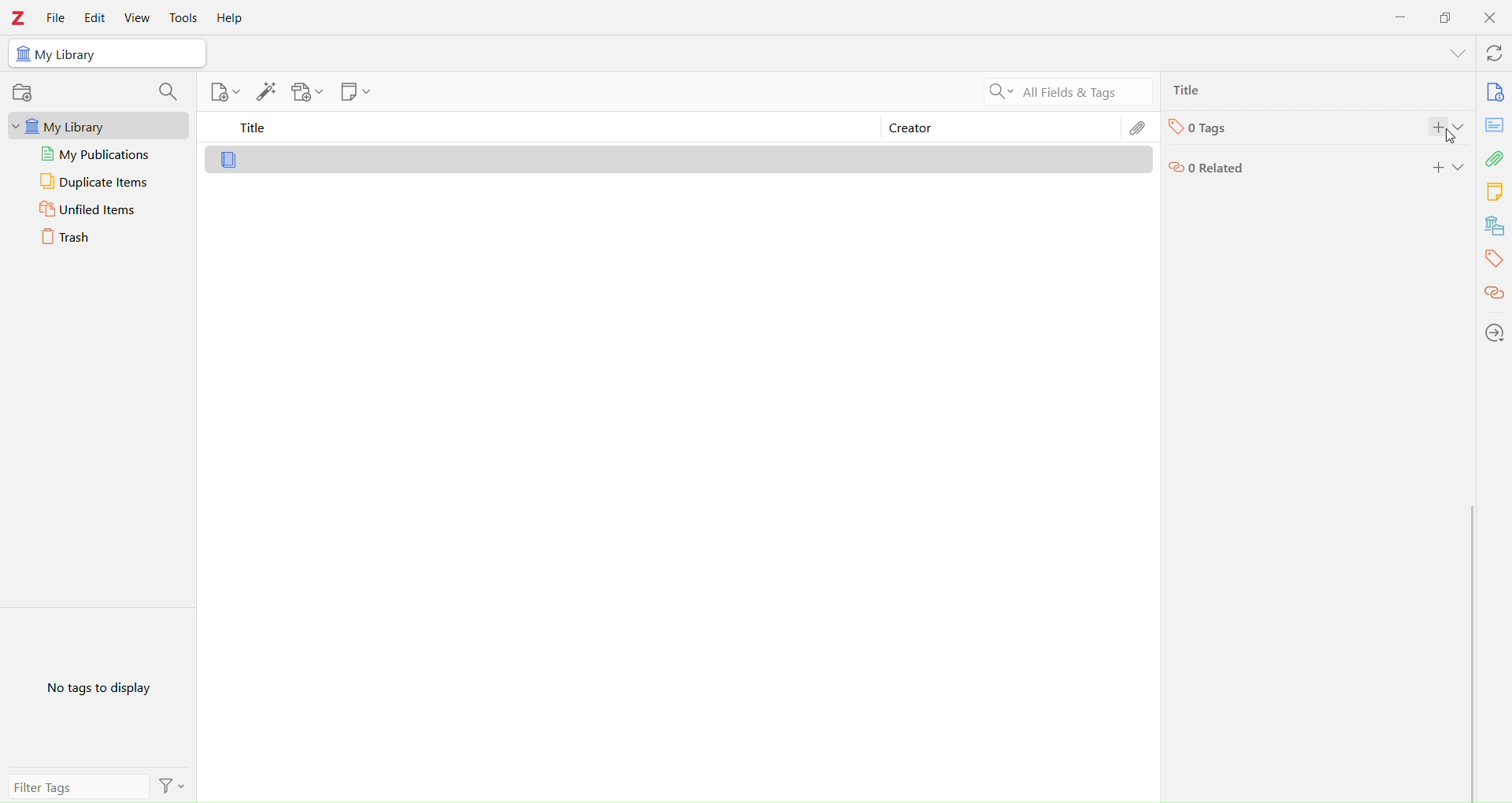 The image size is (1512, 803). Describe the element at coordinates (22, 94) in the screenshot. I see `record` at that location.